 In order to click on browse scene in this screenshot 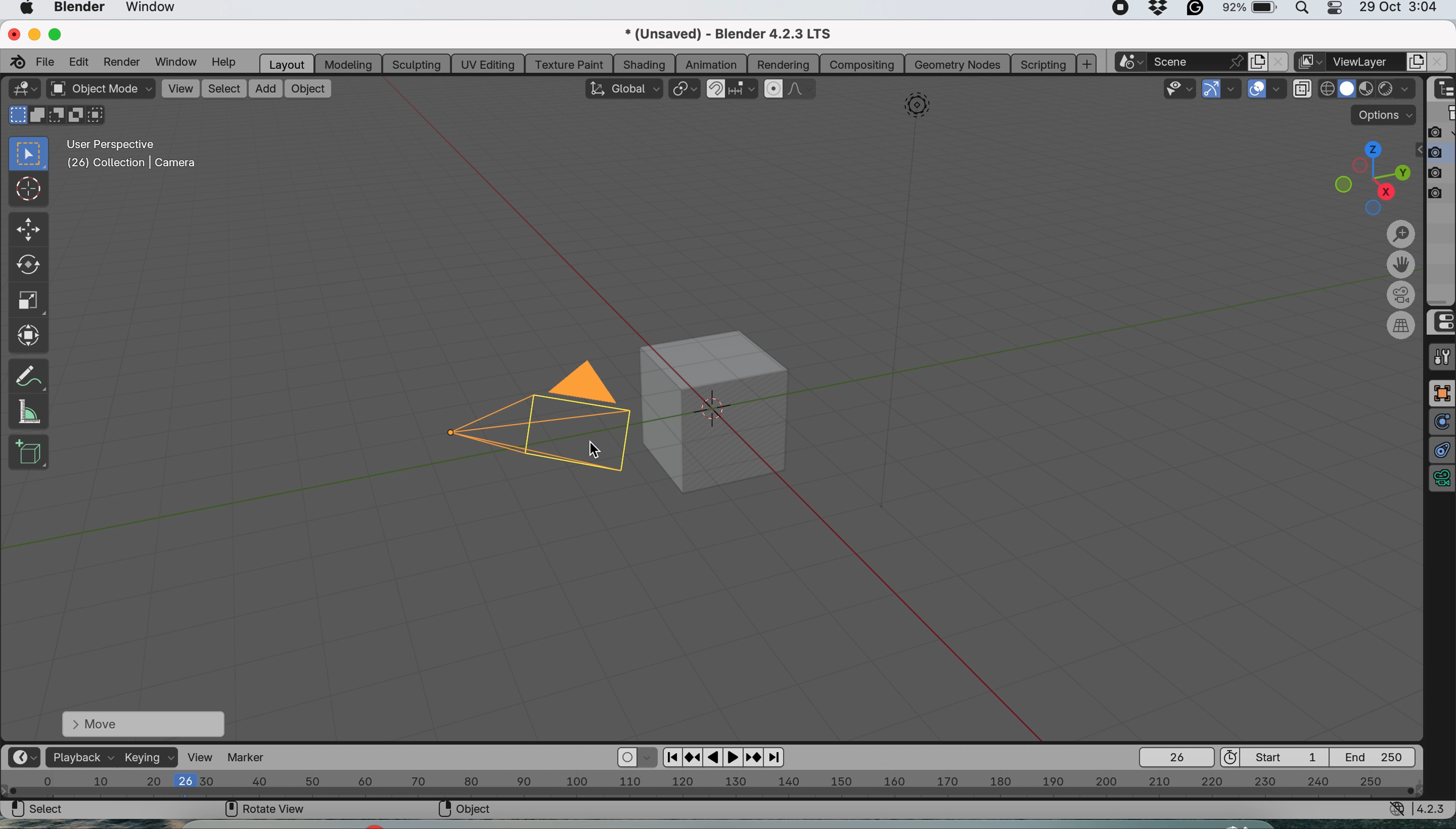, I will do `click(1134, 62)`.